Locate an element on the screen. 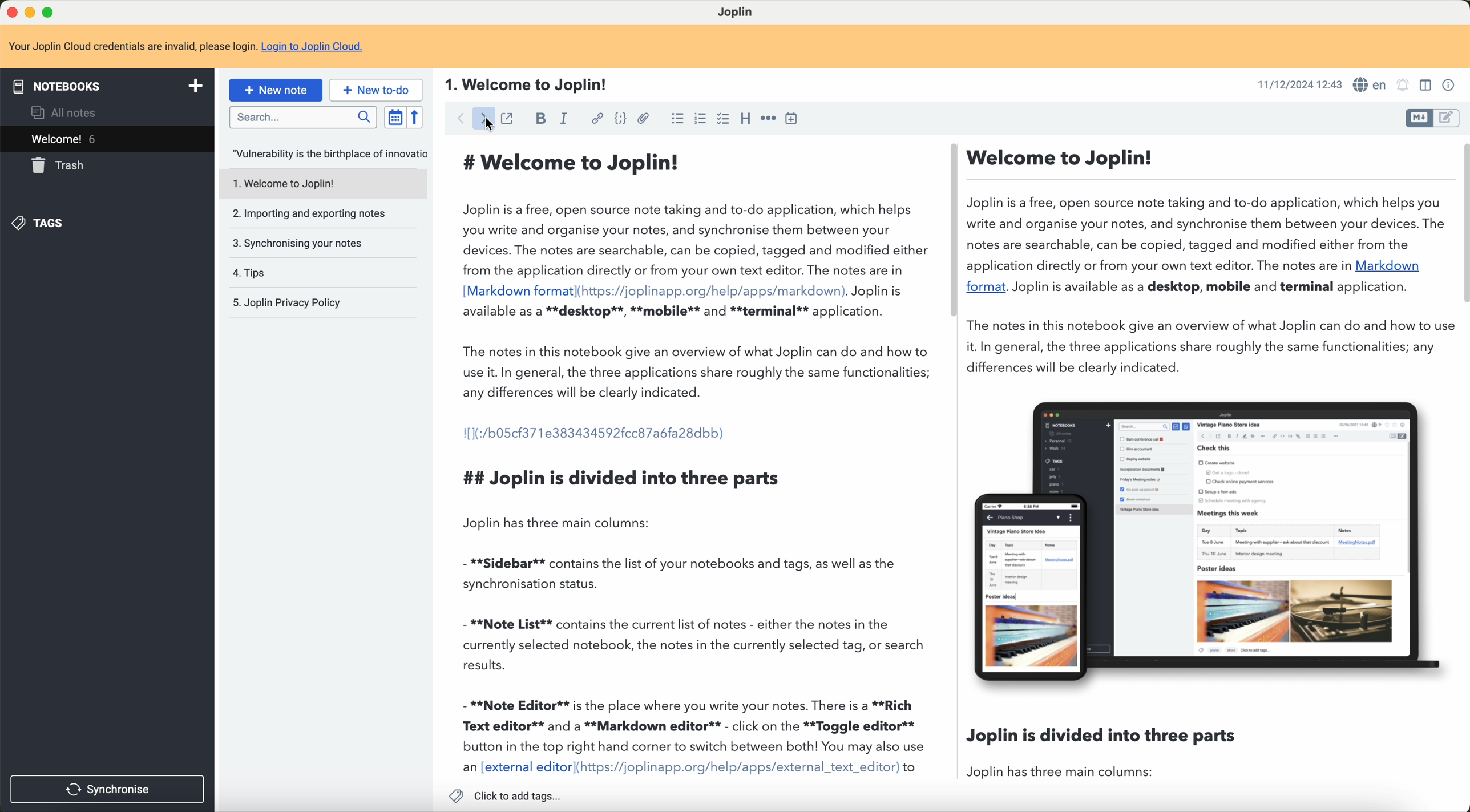 This screenshot has width=1470, height=812. close is located at coordinates (10, 11).